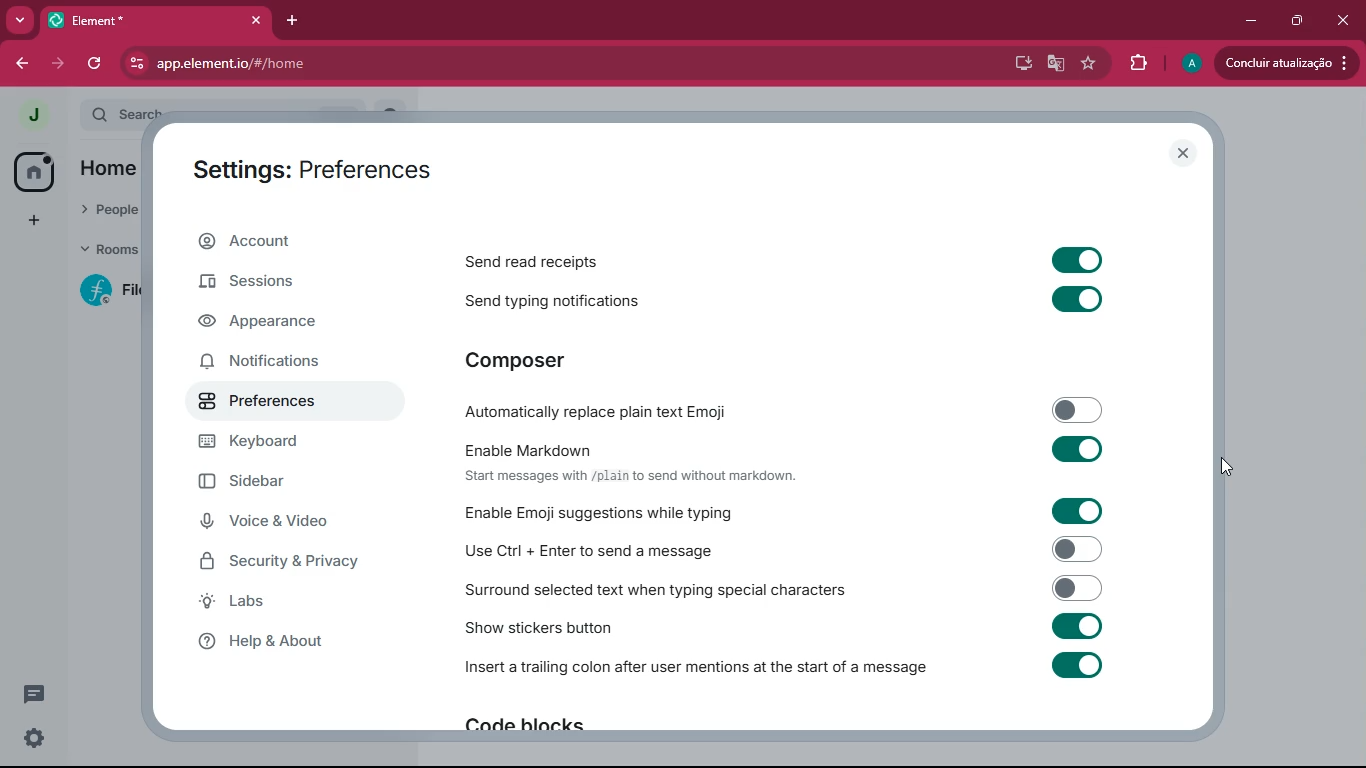 The width and height of the screenshot is (1366, 768). I want to click on sessions, so click(284, 284).